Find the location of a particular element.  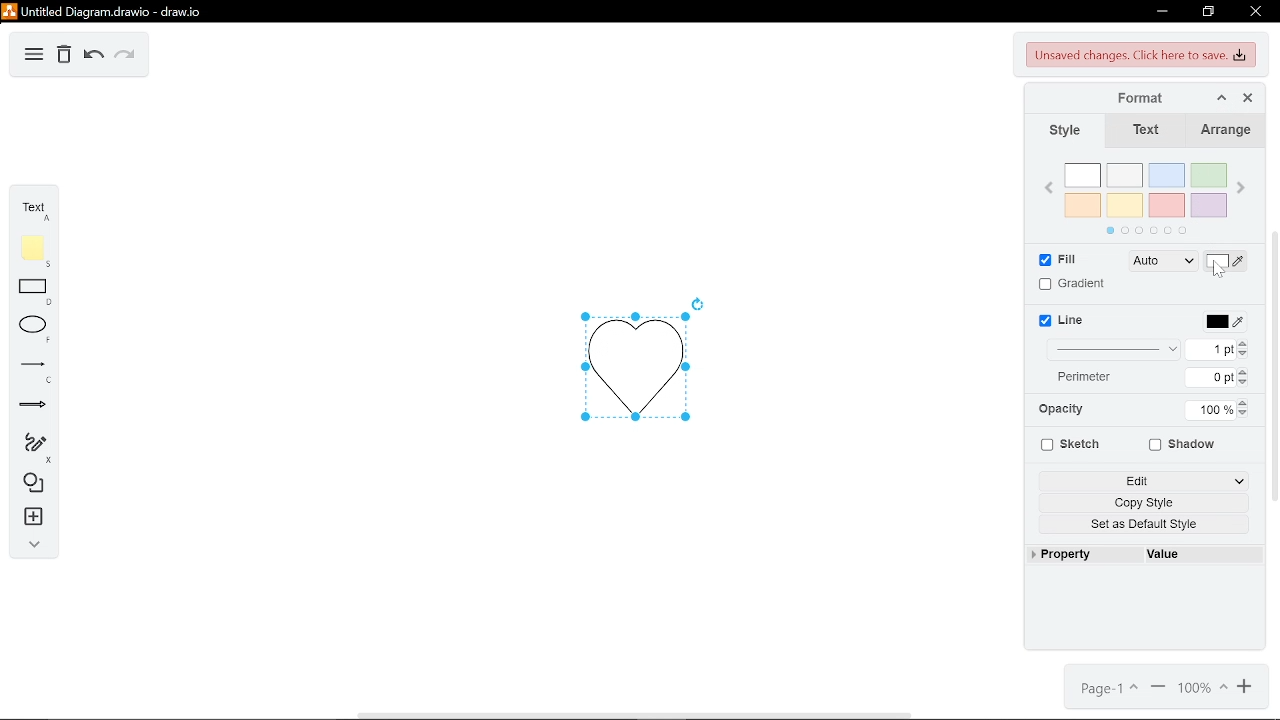

text is located at coordinates (1146, 132).